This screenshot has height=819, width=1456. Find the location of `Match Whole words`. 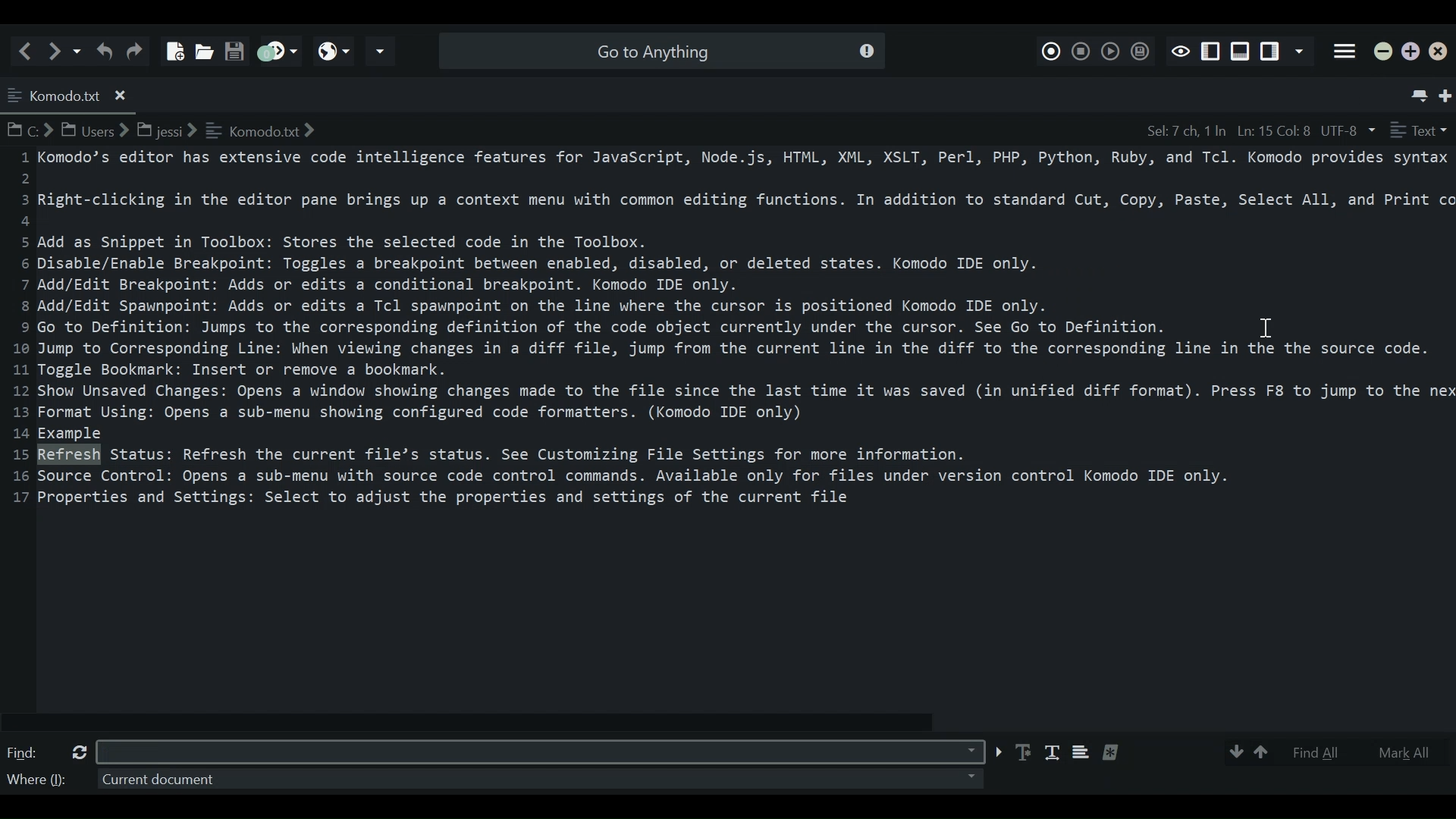

Match Whole words is located at coordinates (1052, 754).